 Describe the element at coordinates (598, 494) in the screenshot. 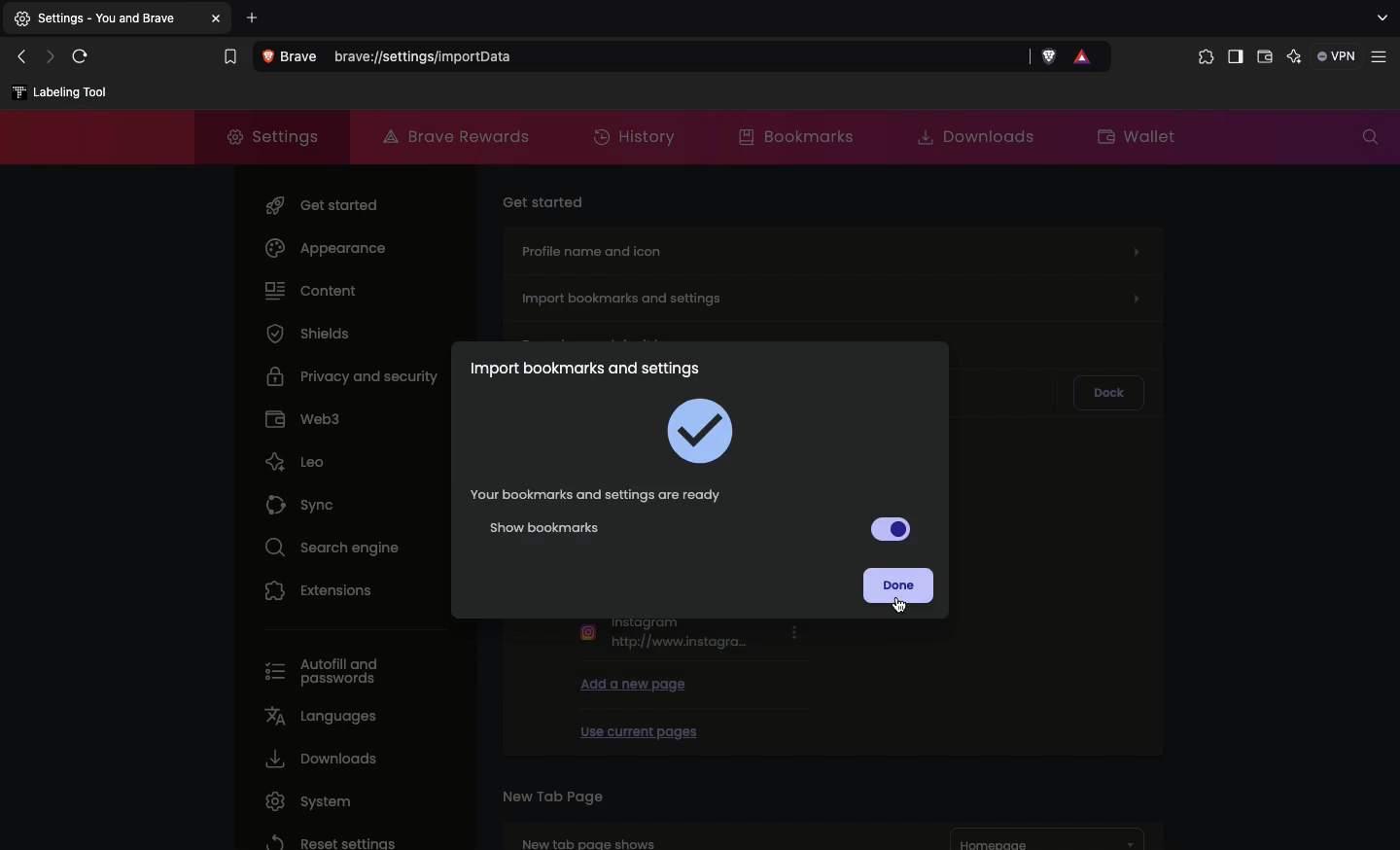

I see `Your bookmarks and settings are ready` at that location.